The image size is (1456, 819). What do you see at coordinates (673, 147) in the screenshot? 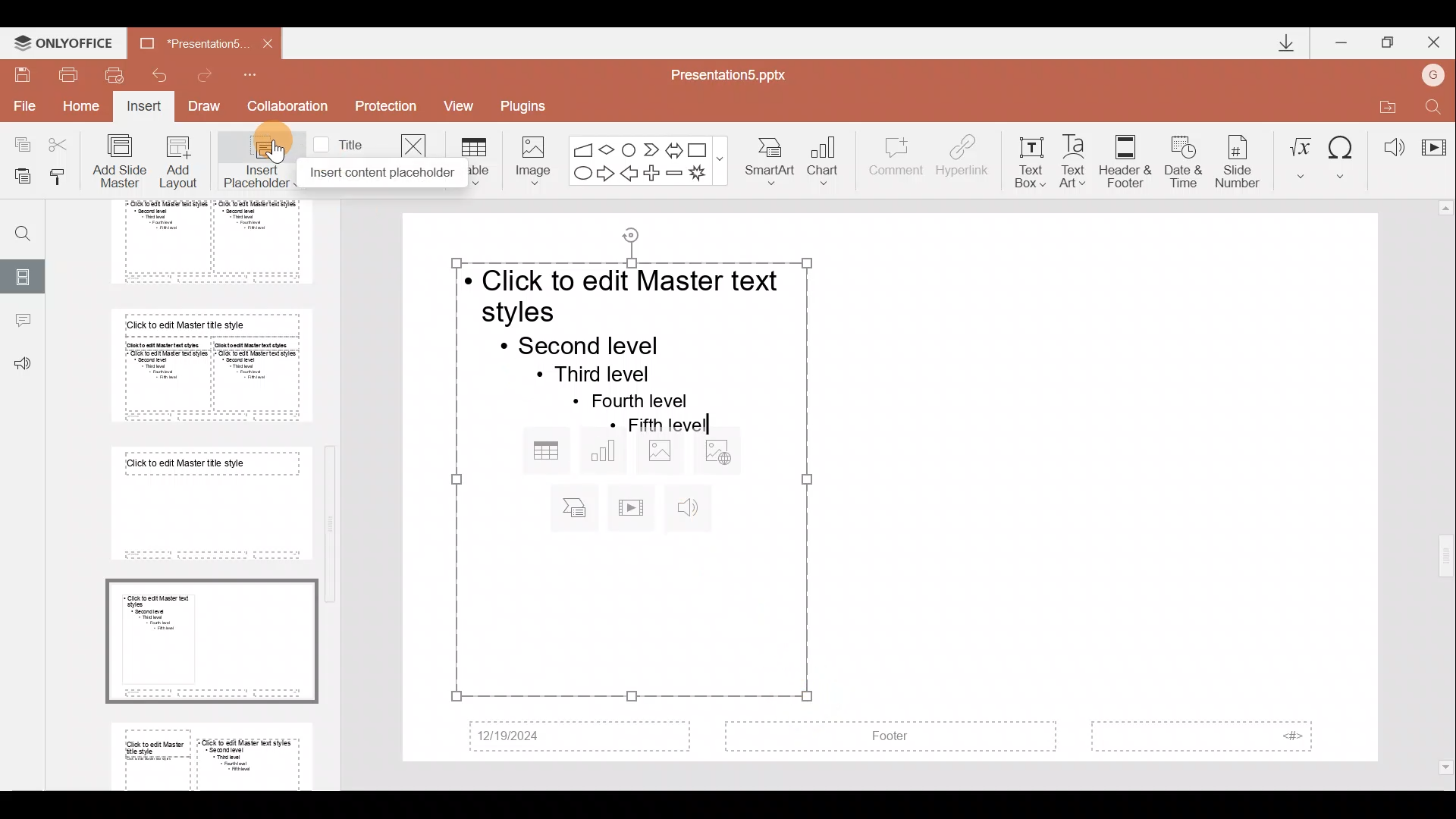
I see `Left right arrow` at bounding box center [673, 147].